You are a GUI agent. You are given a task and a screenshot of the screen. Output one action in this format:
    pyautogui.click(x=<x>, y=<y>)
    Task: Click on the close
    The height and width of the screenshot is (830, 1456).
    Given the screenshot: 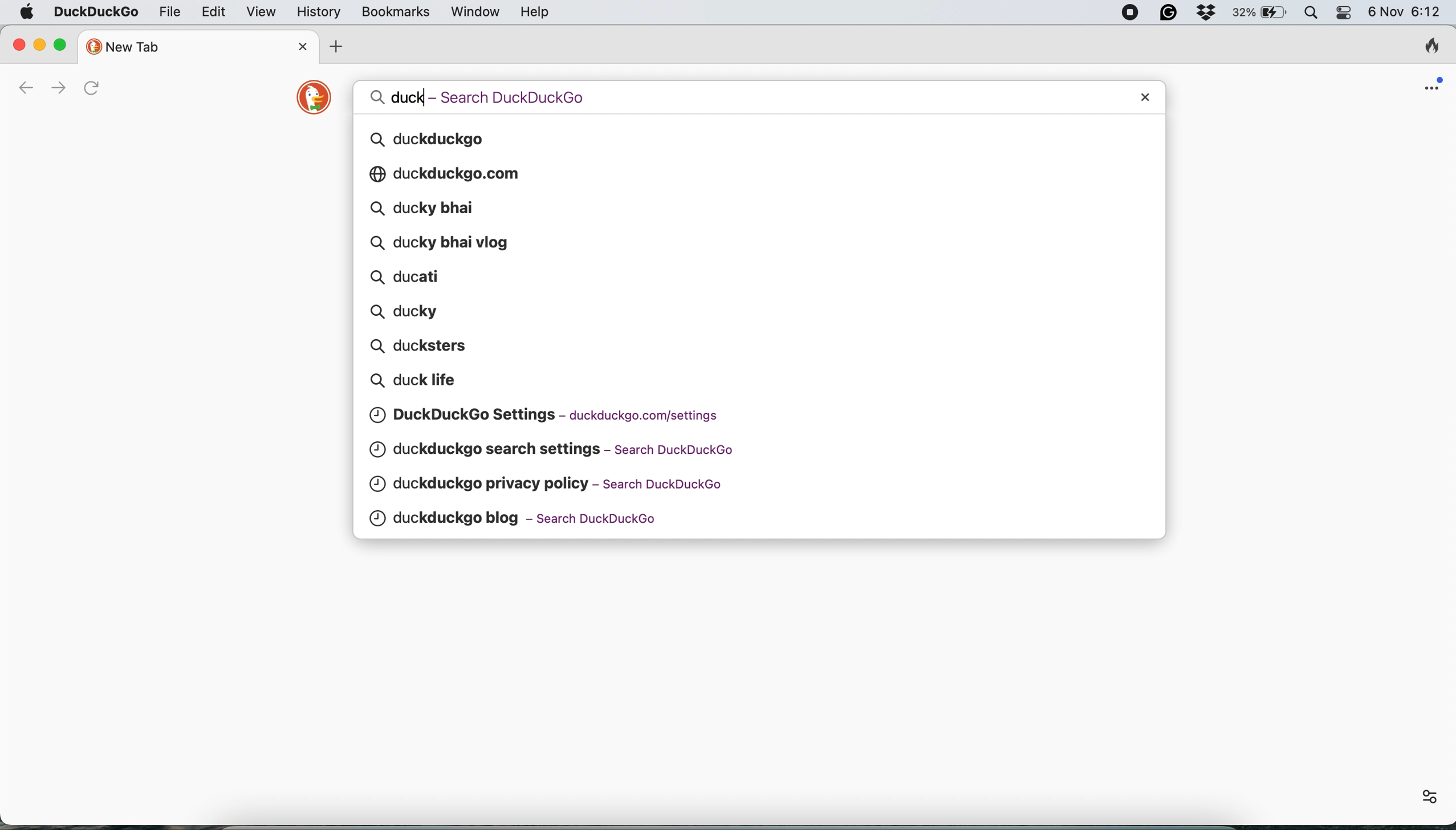 What is the action you would take?
    pyautogui.click(x=19, y=42)
    